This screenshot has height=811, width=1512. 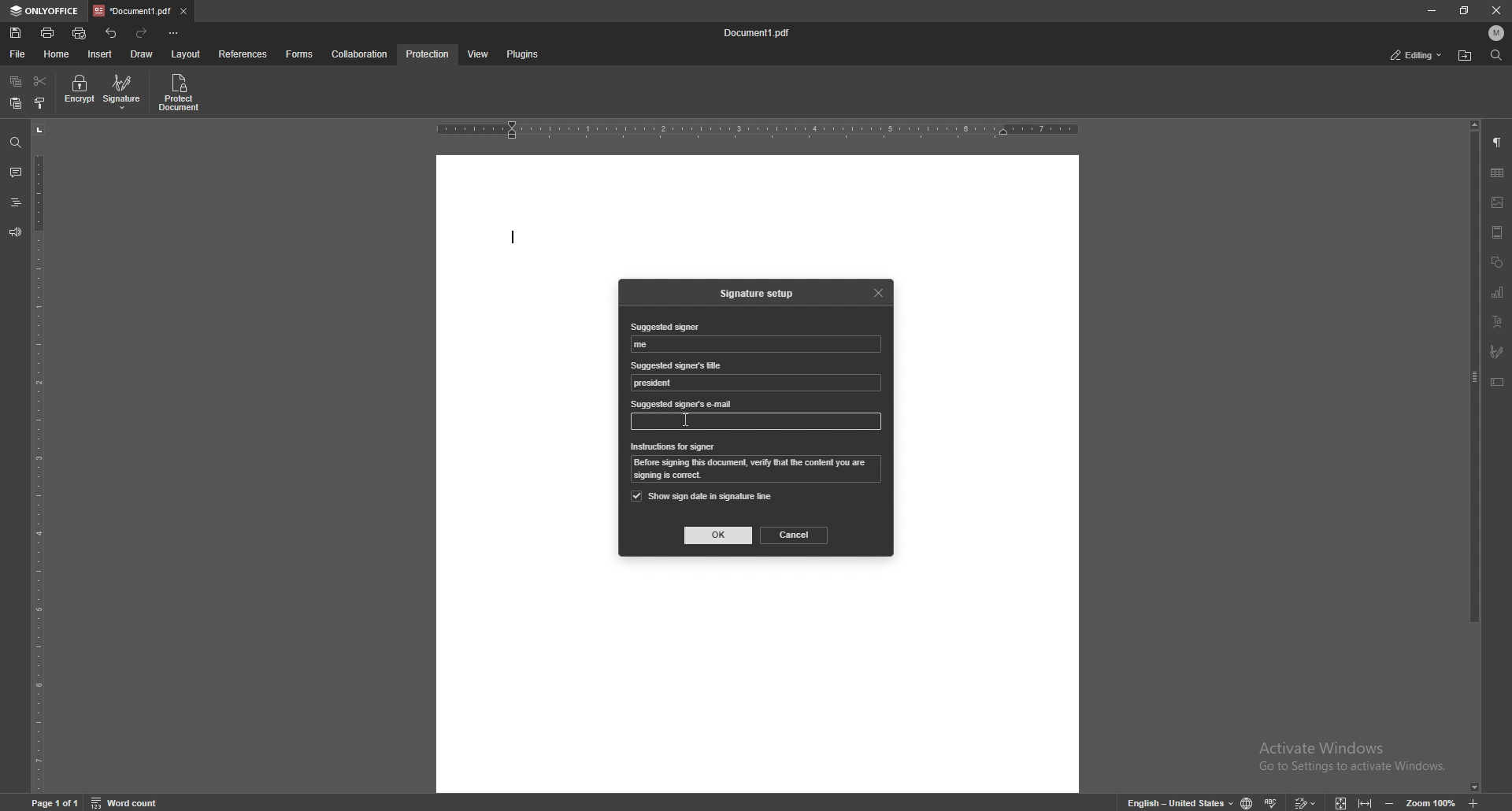 I want to click on close tab, so click(x=184, y=10).